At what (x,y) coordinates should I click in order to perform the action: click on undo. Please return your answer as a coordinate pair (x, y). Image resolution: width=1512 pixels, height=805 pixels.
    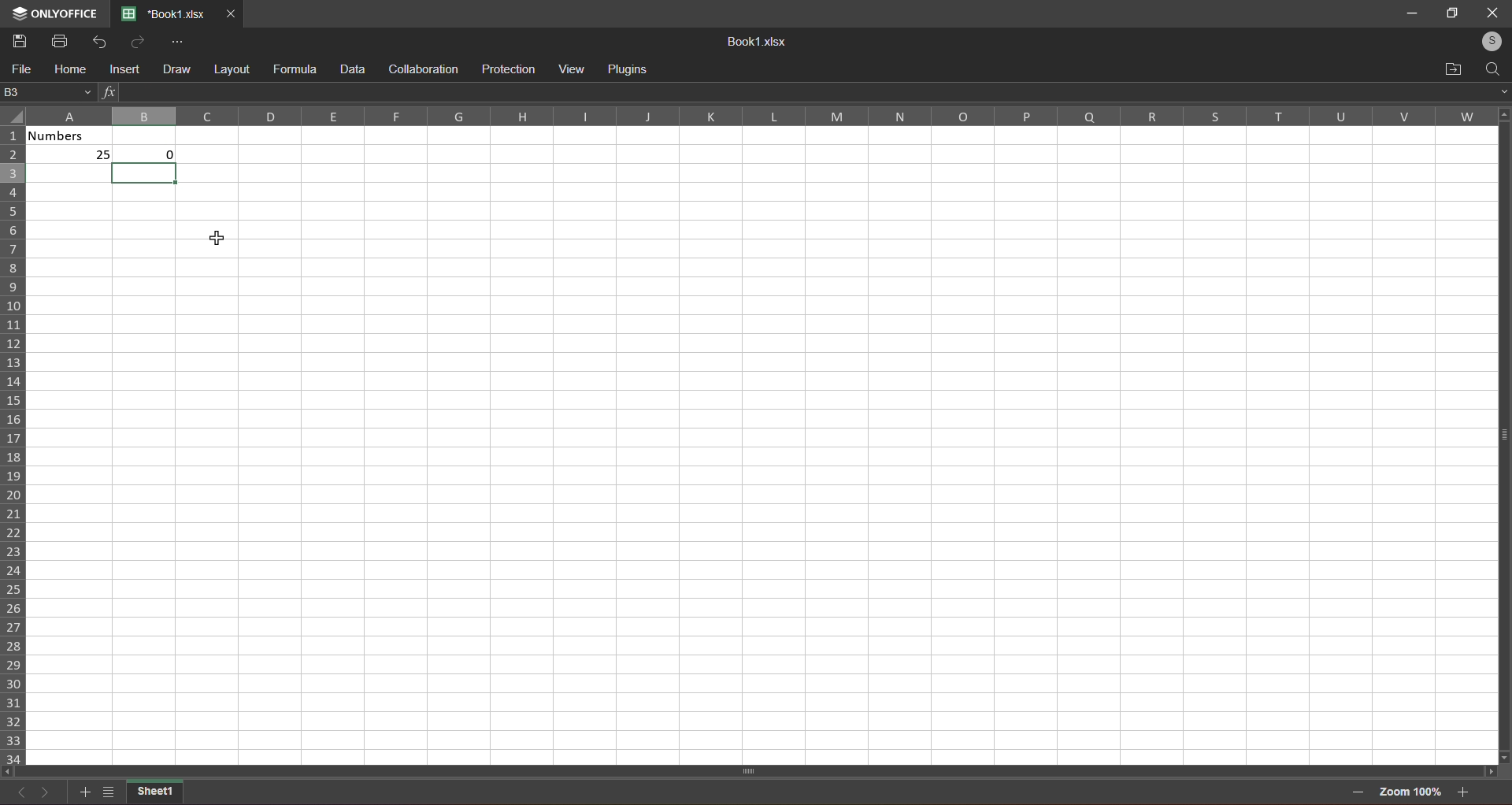
    Looking at the image, I should click on (95, 40).